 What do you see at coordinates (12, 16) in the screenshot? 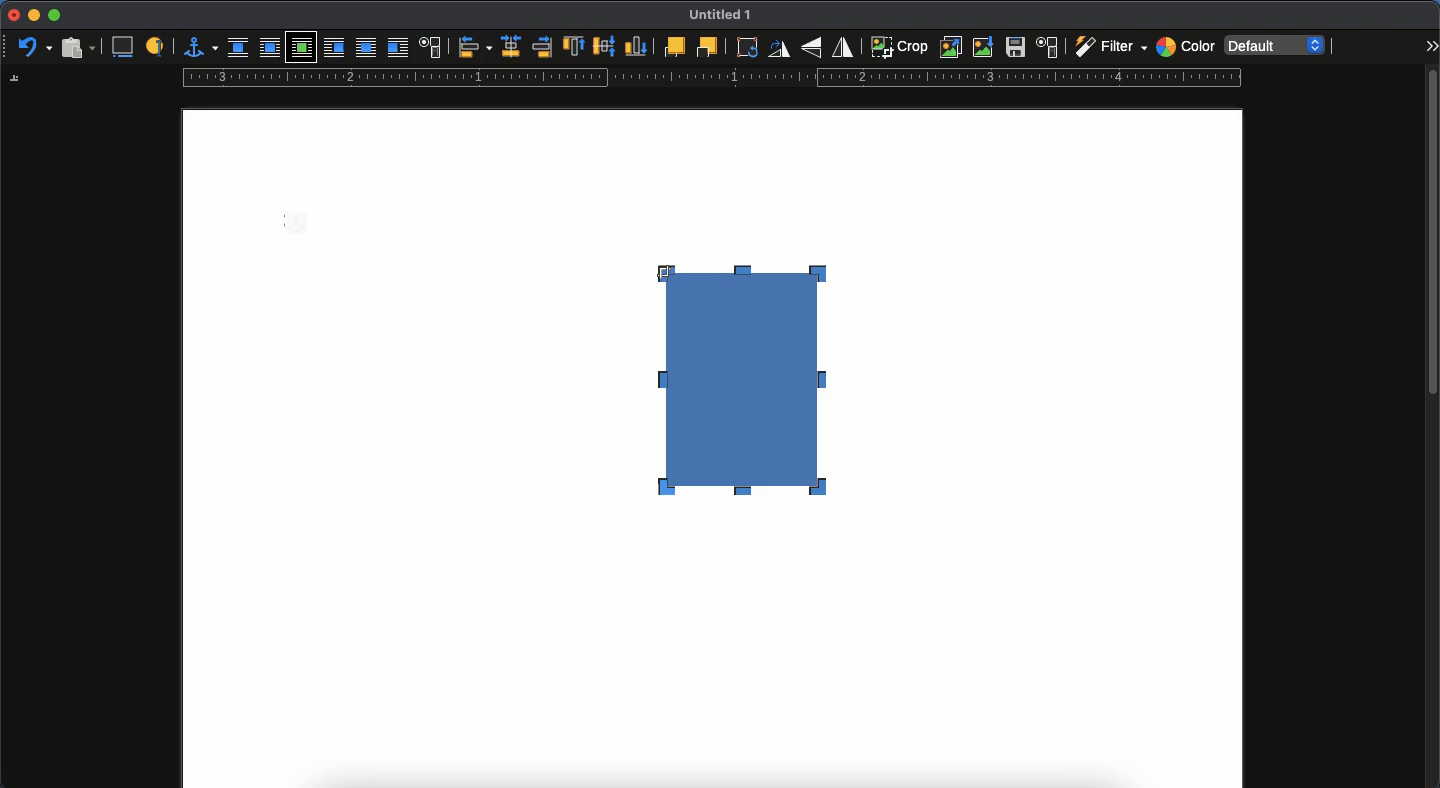
I see `close` at bounding box center [12, 16].